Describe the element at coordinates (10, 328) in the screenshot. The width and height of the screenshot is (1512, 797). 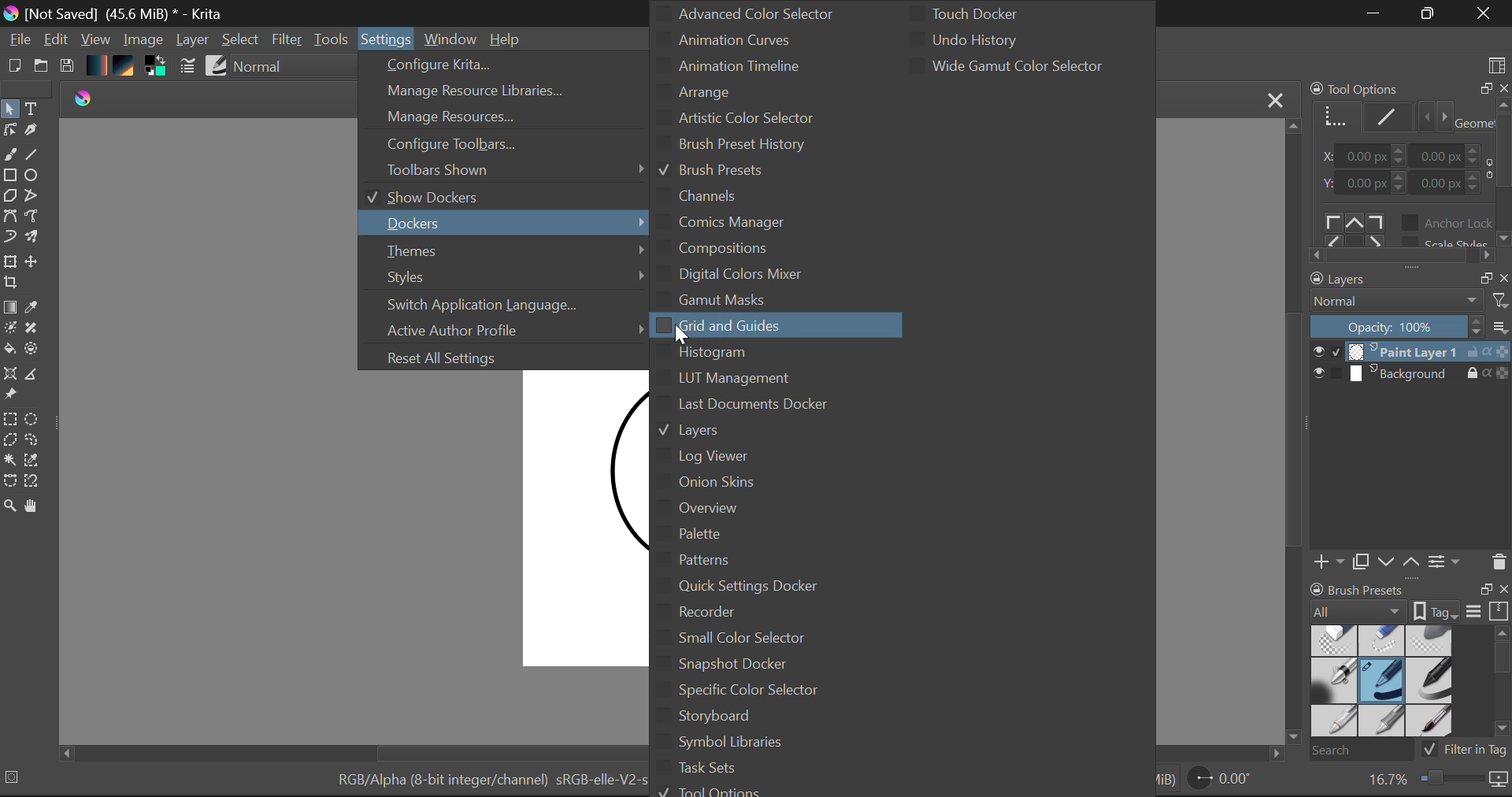
I see `Colorize Mask Tool` at that location.